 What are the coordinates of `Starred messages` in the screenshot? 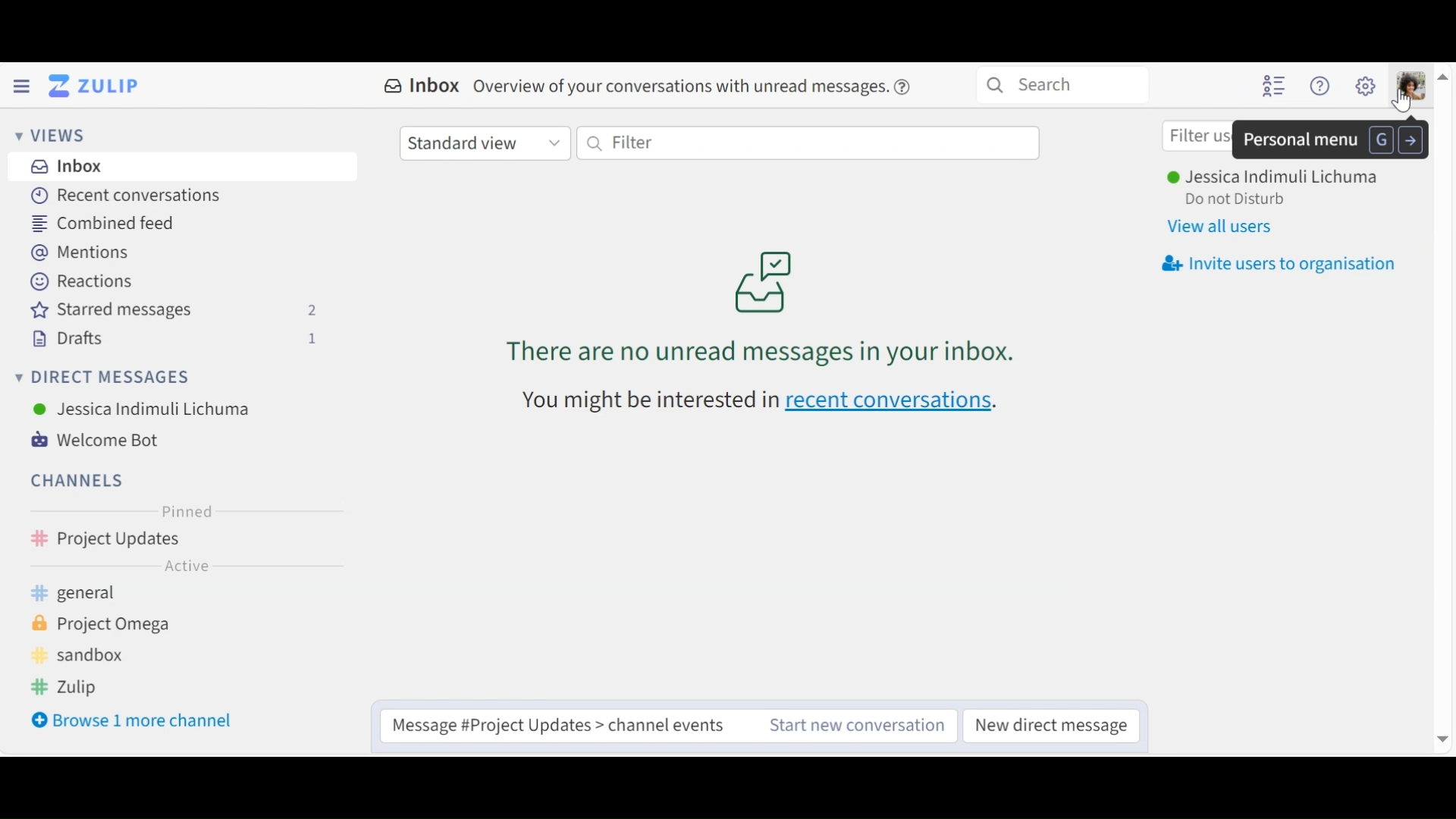 It's located at (178, 312).